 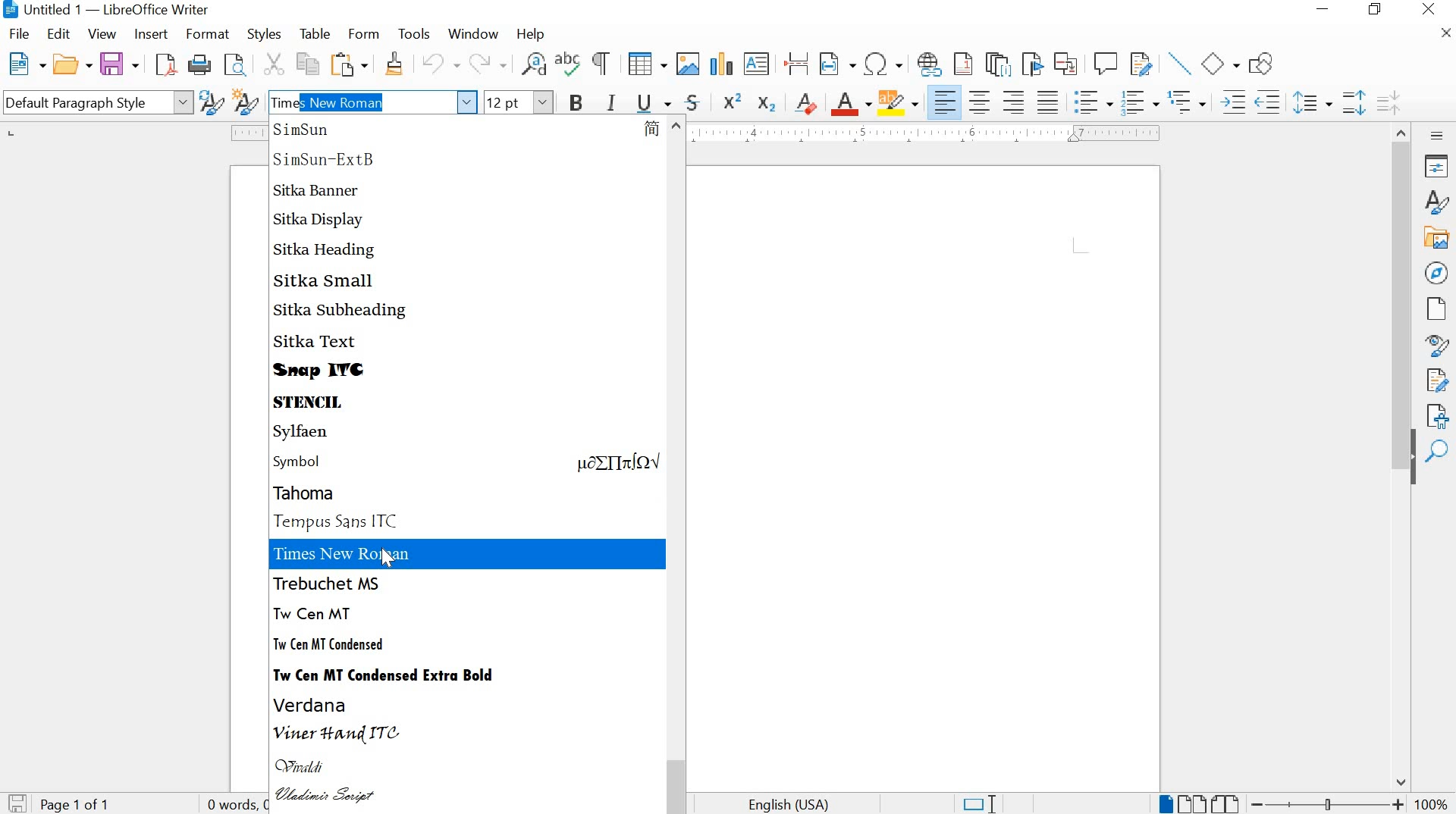 What do you see at coordinates (654, 104) in the screenshot?
I see `UNDERLINE` at bounding box center [654, 104].